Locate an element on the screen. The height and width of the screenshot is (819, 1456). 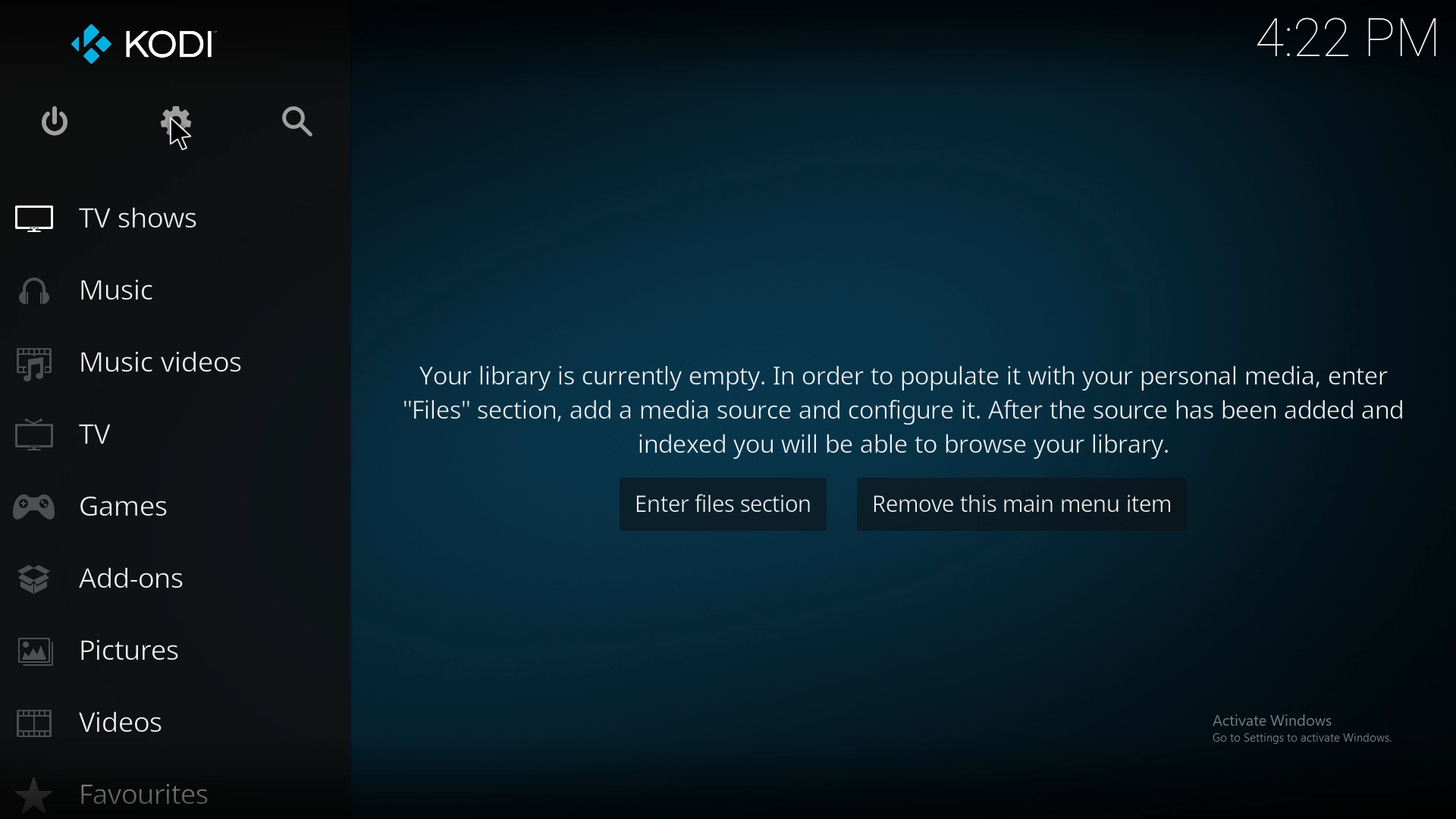
music videos is located at coordinates (146, 362).